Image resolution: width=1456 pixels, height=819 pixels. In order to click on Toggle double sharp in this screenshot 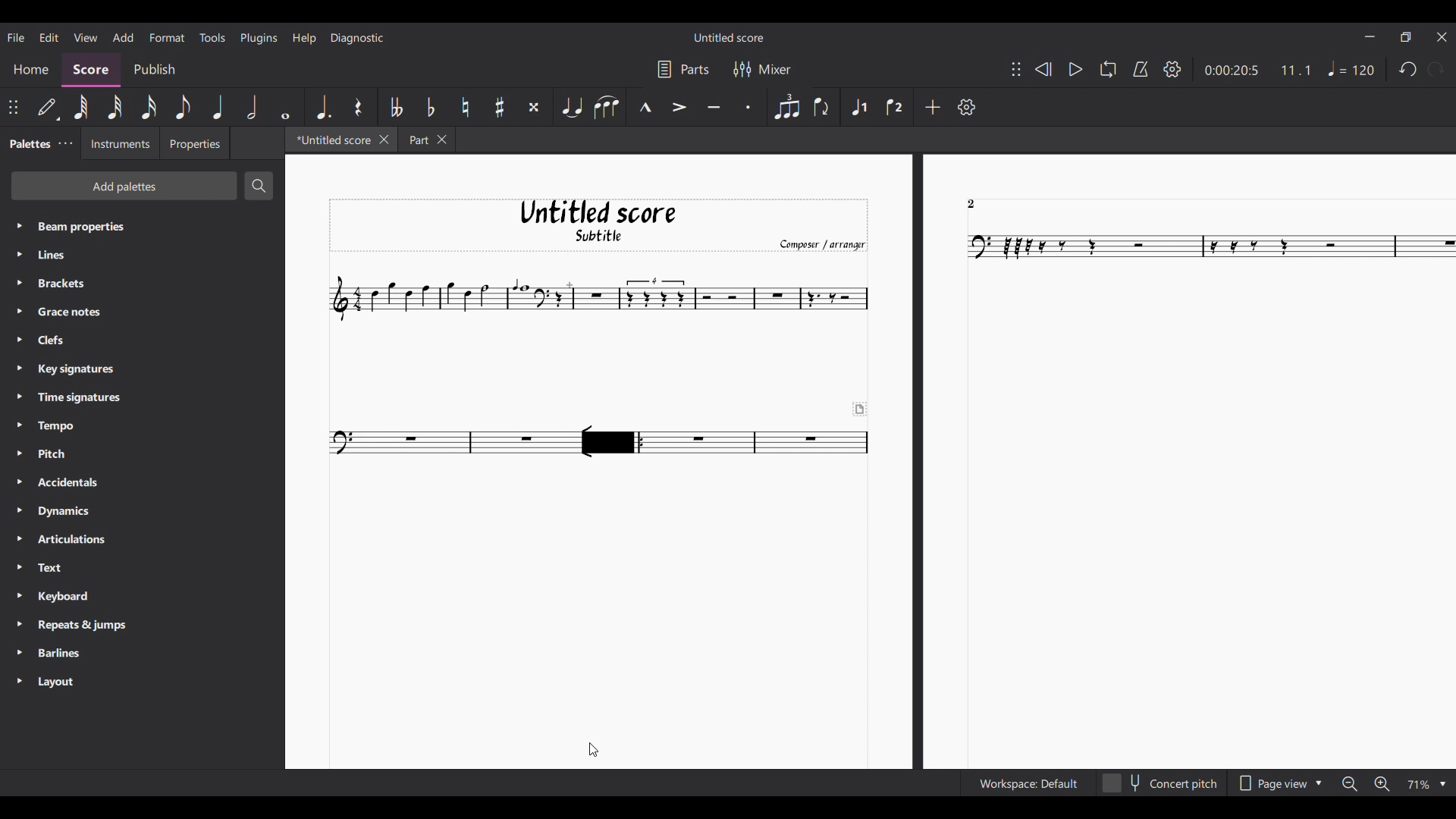, I will do `click(533, 108)`.